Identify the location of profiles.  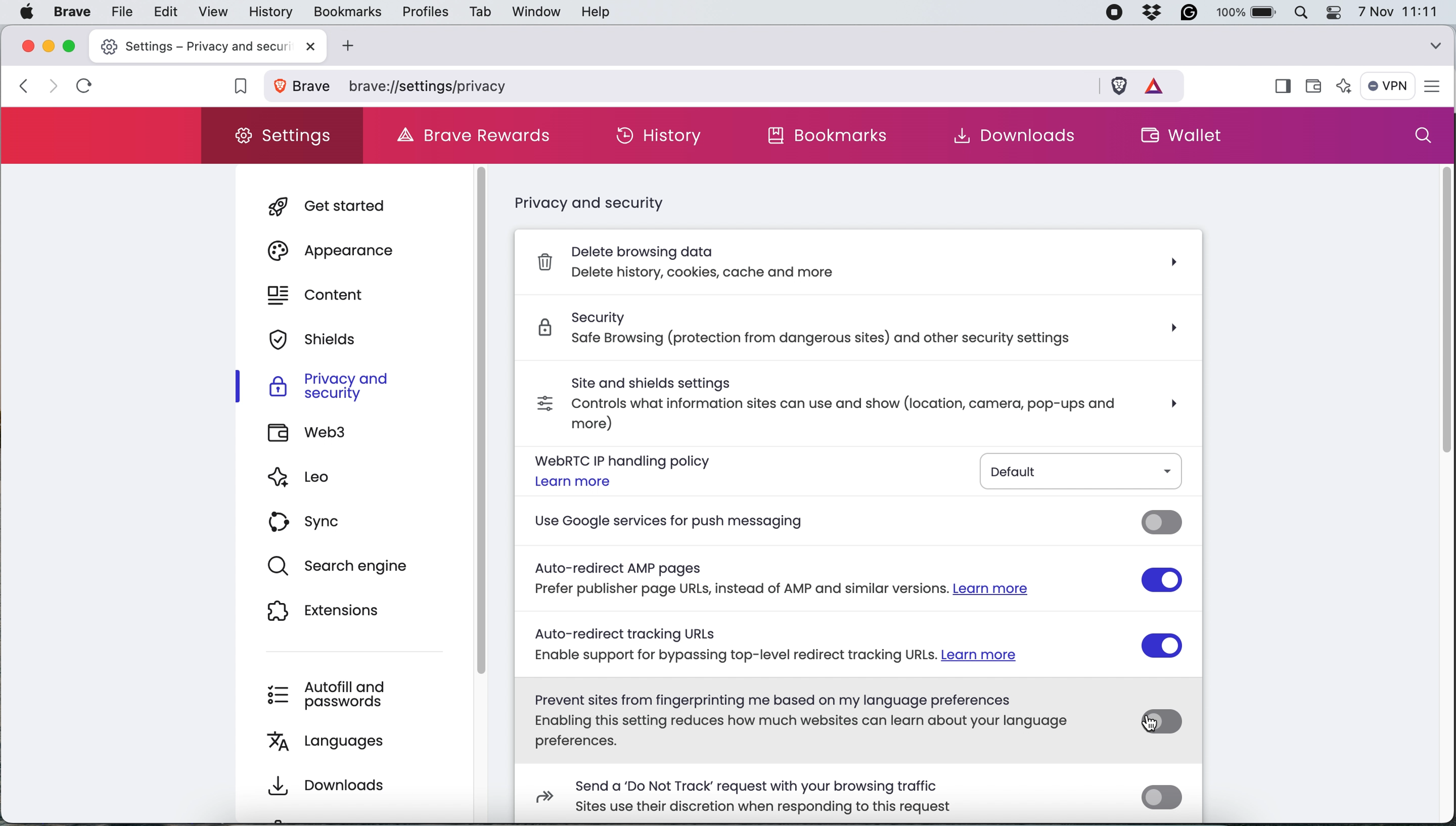
(423, 12).